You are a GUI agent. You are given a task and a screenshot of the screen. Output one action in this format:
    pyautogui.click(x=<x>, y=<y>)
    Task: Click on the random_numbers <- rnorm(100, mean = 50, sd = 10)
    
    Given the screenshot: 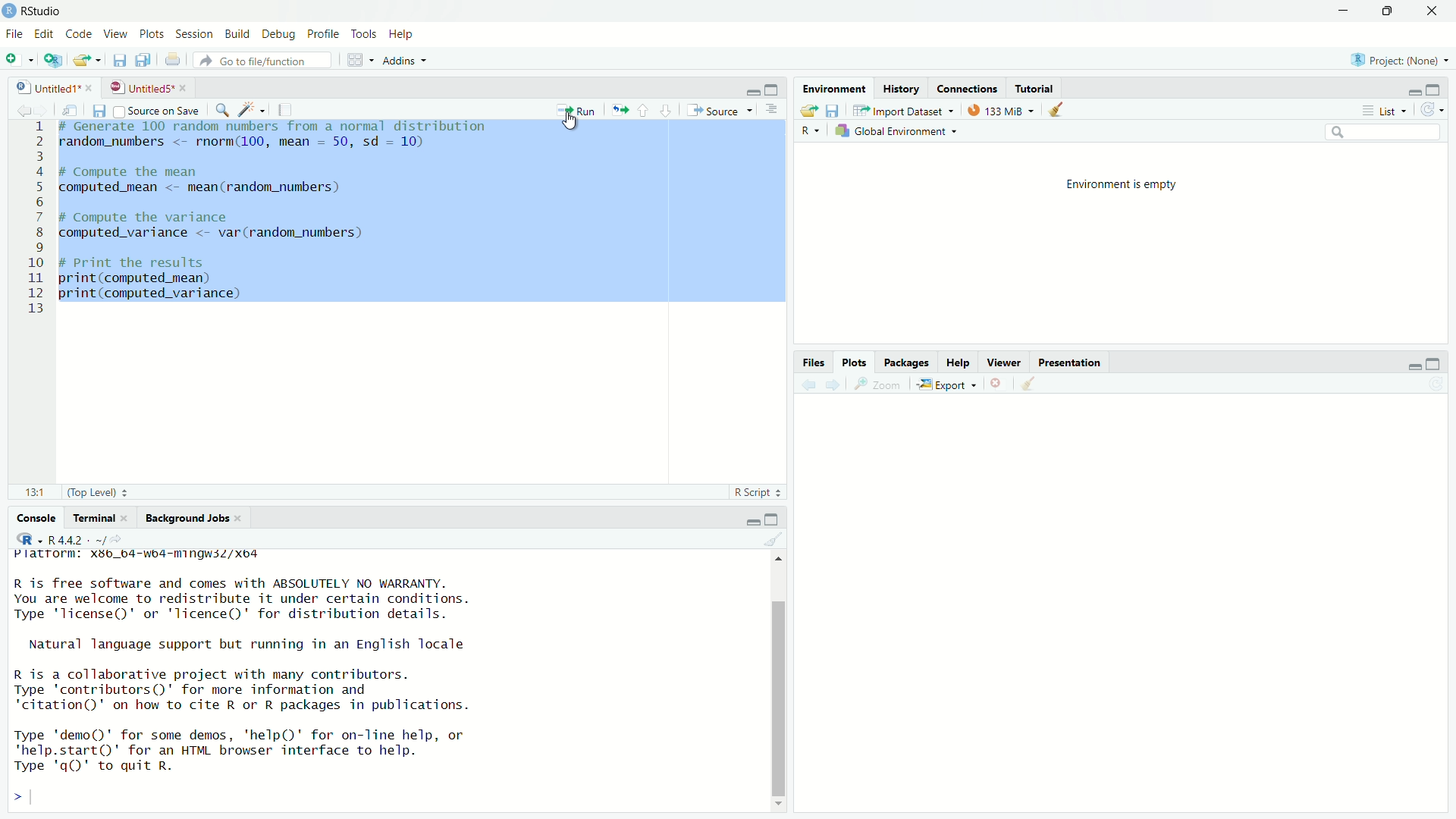 What is the action you would take?
    pyautogui.click(x=262, y=142)
    